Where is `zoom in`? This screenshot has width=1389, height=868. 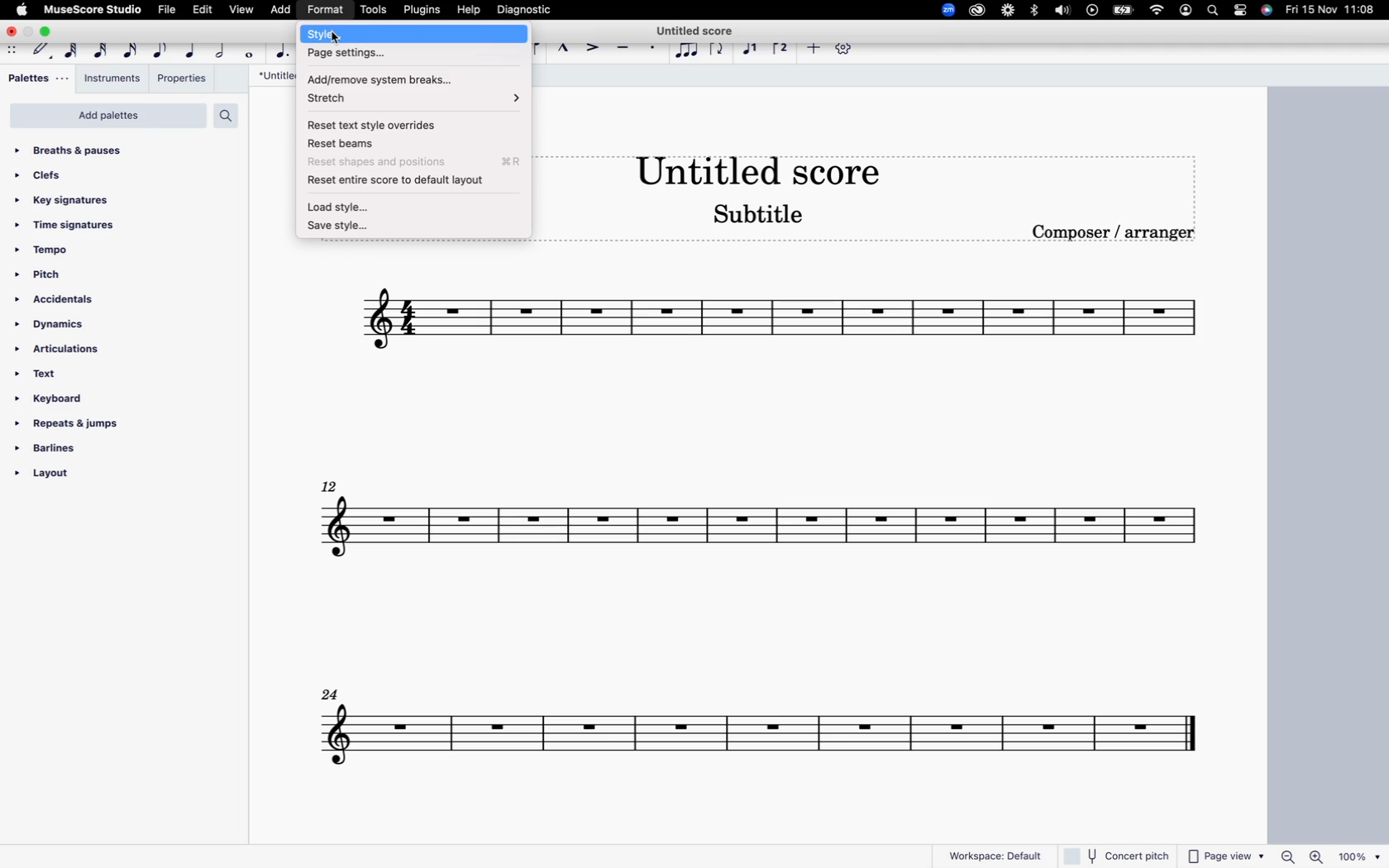 zoom in is located at coordinates (1320, 855).